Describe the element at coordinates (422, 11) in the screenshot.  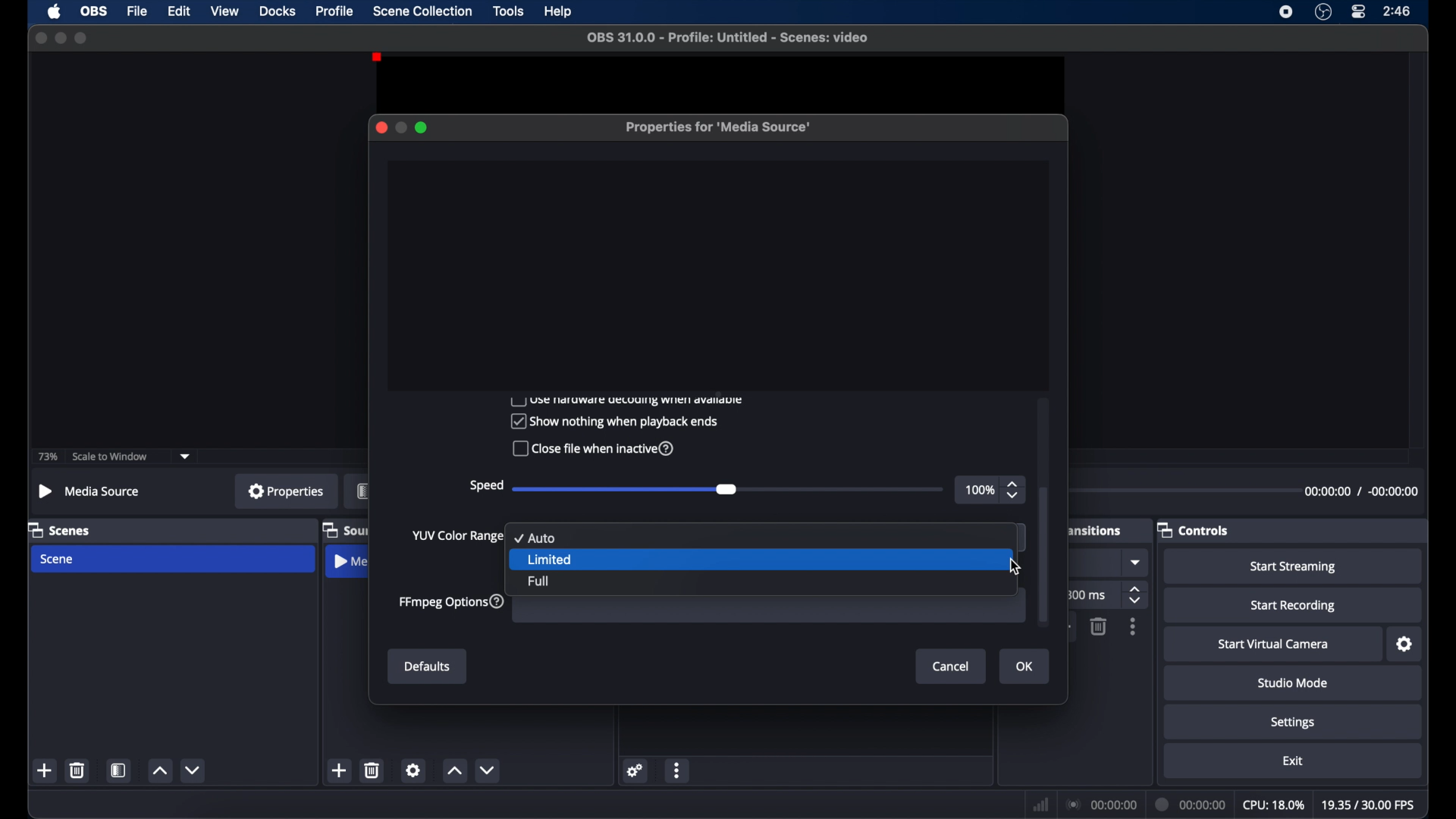
I see `scene collection` at that location.